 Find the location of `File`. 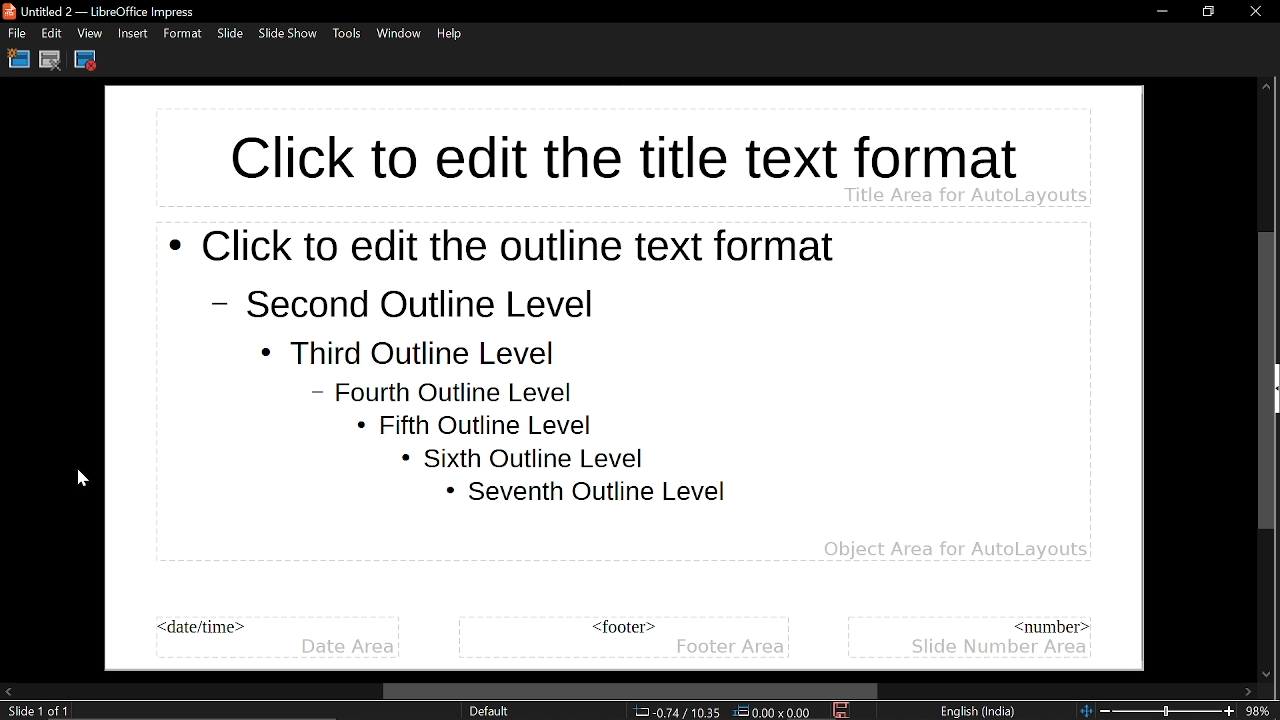

File is located at coordinates (15, 33).